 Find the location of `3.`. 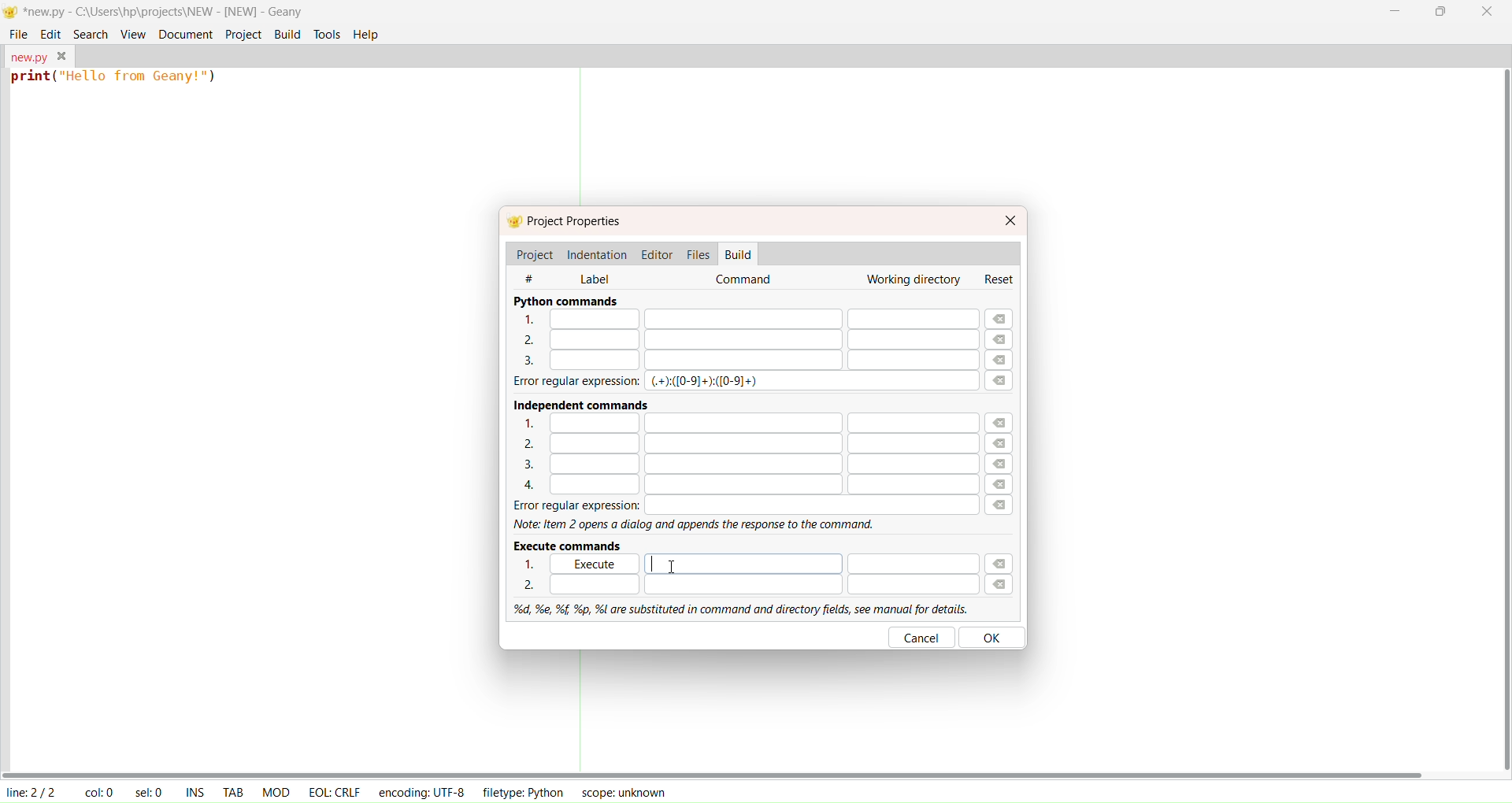

3. is located at coordinates (743, 361).